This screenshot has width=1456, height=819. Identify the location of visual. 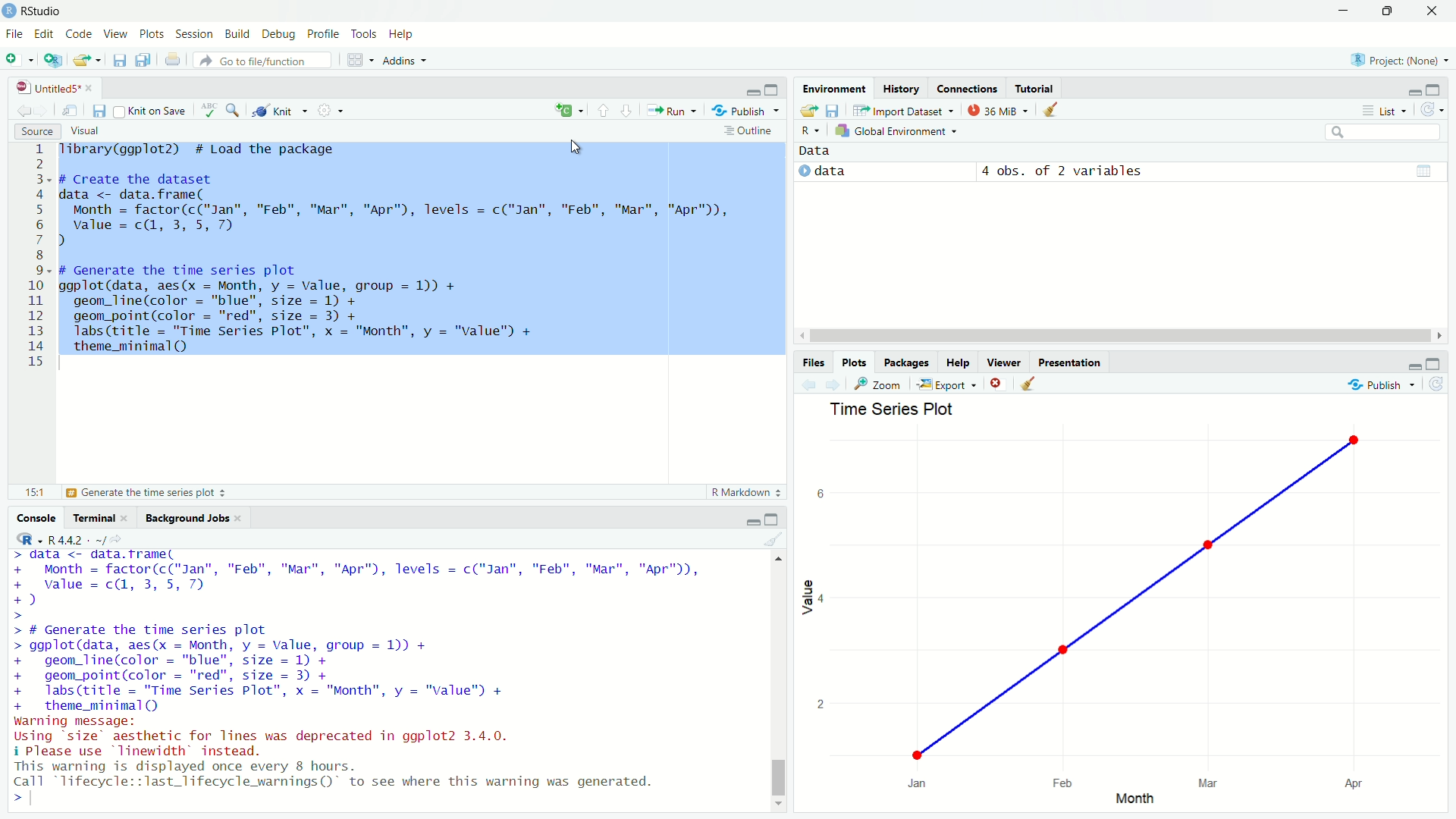
(88, 130).